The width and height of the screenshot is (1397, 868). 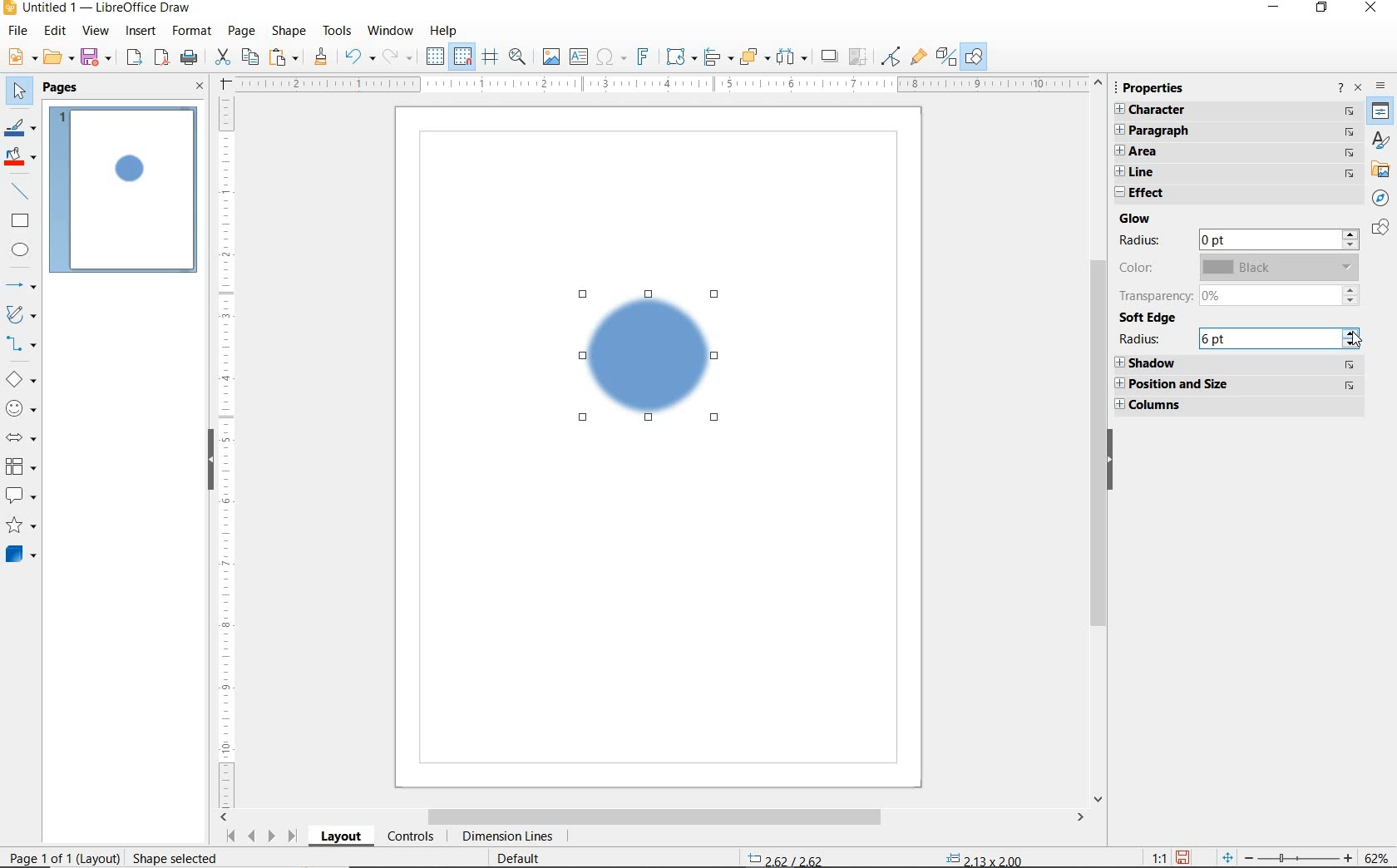 I want to click on hide, so click(x=201, y=462).